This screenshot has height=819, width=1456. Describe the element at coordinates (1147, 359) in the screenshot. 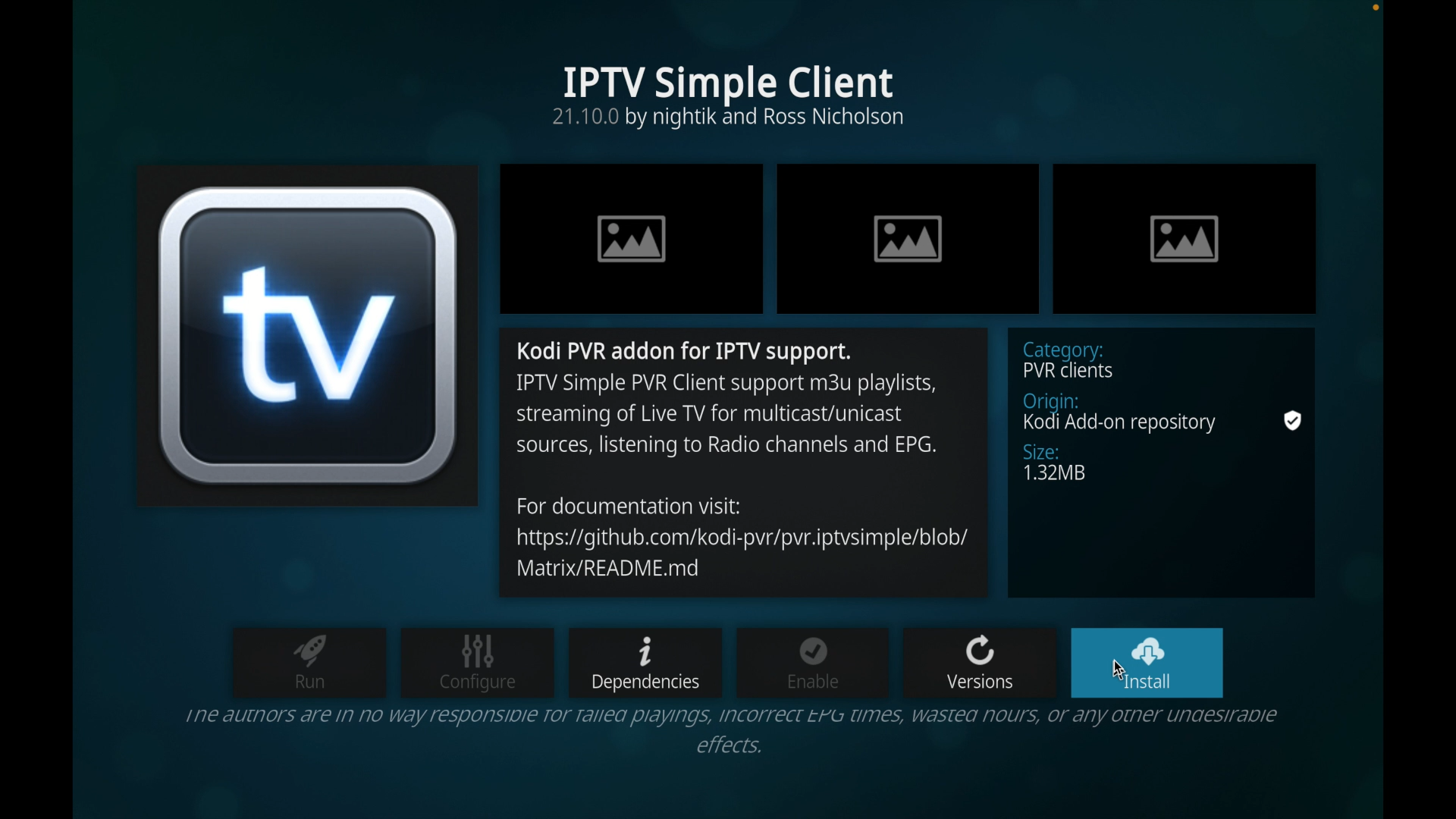

I see `Category:
PVR clients` at that location.